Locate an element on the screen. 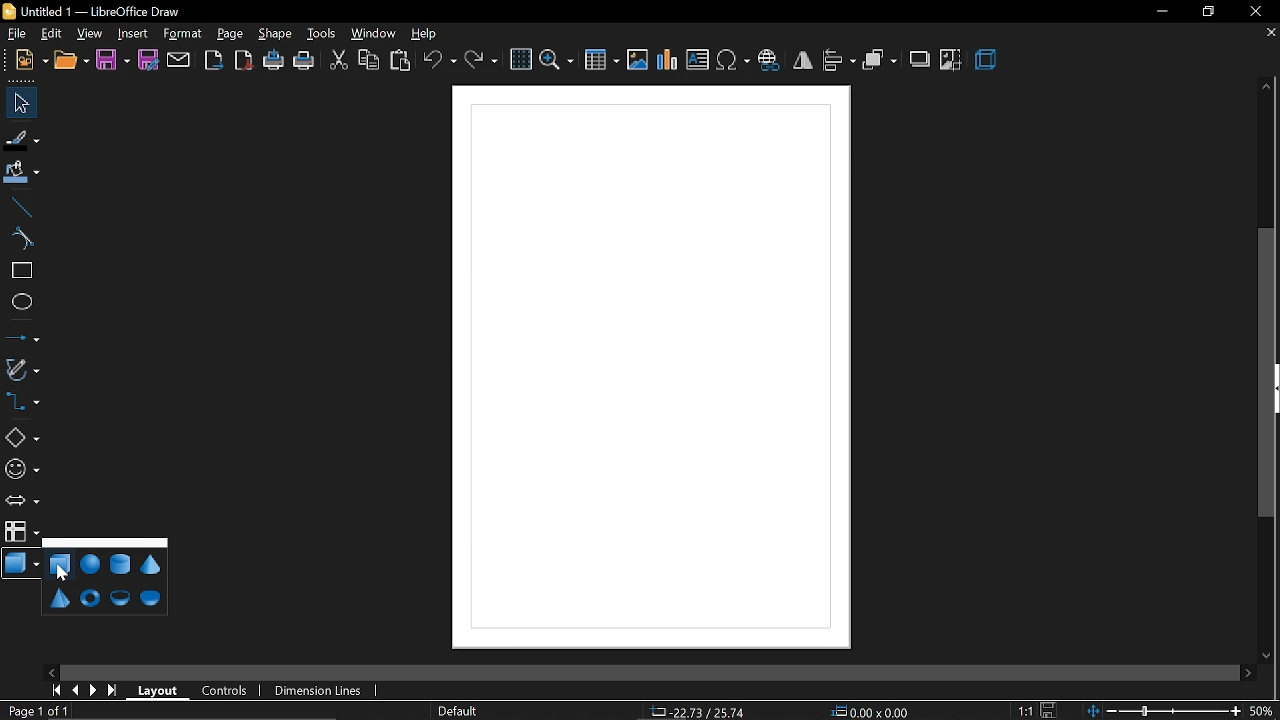 Image resolution: width=1280 pixels, height=720 pixels. close tab is located at coordinates (1270, 35).